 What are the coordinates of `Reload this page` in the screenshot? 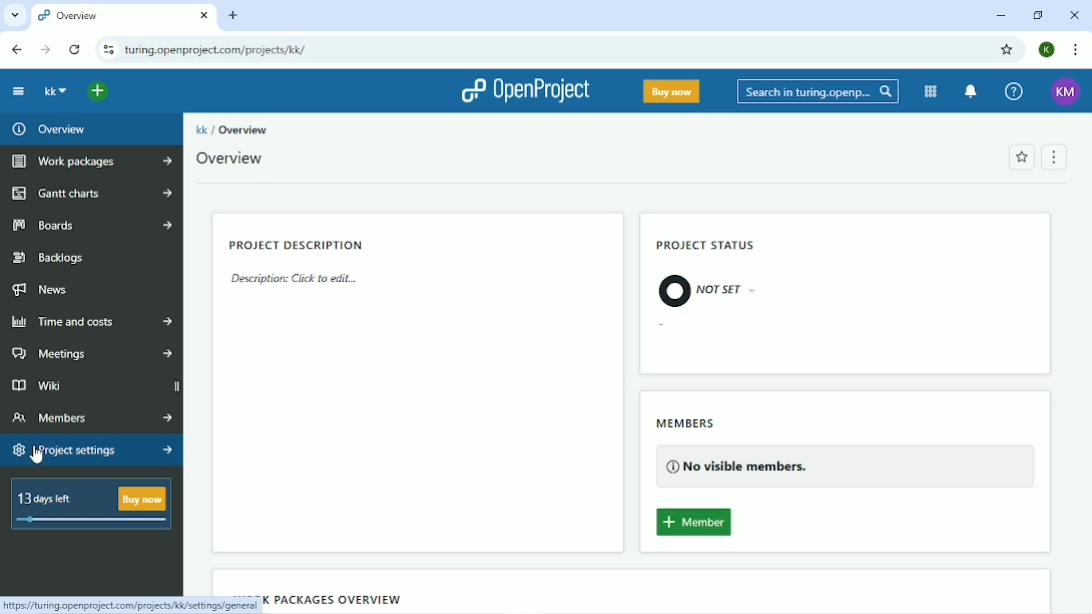 It's located at (74, 49).